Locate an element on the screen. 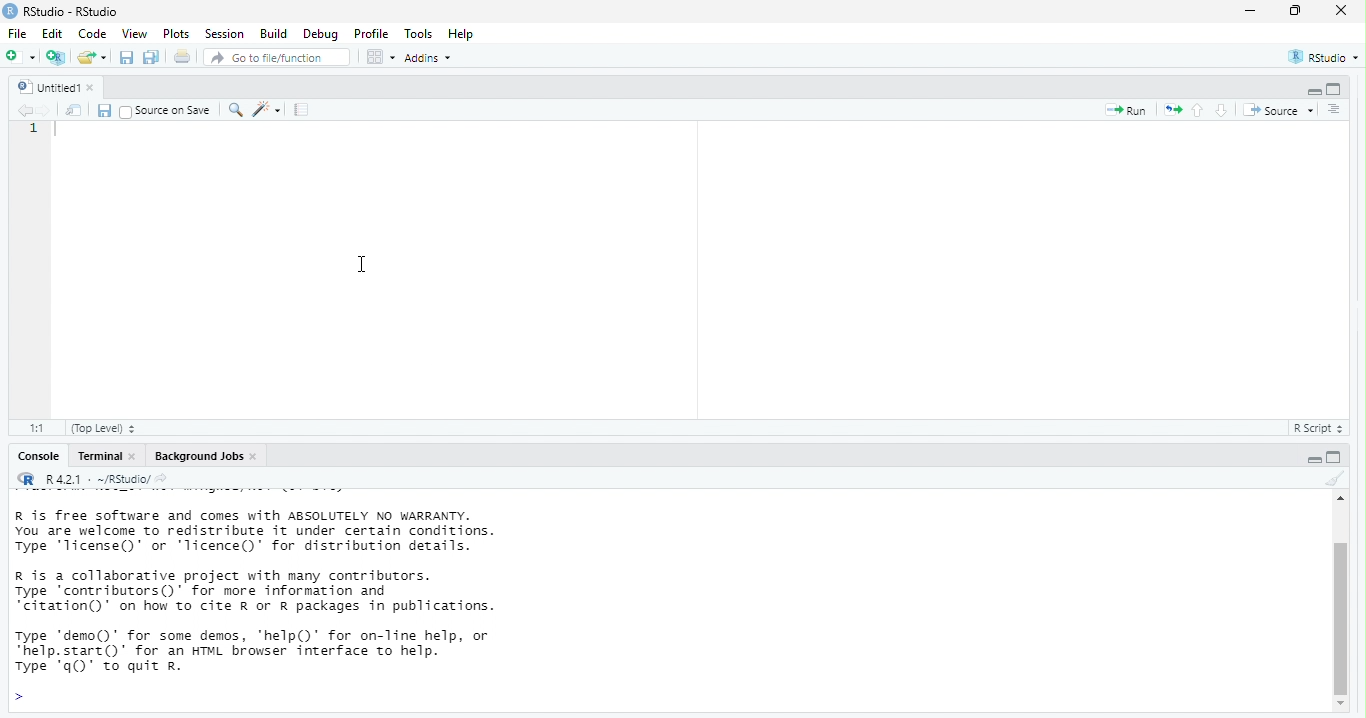 This screenshot has width=1366, height=718. build is located at coordinates (273, 34).